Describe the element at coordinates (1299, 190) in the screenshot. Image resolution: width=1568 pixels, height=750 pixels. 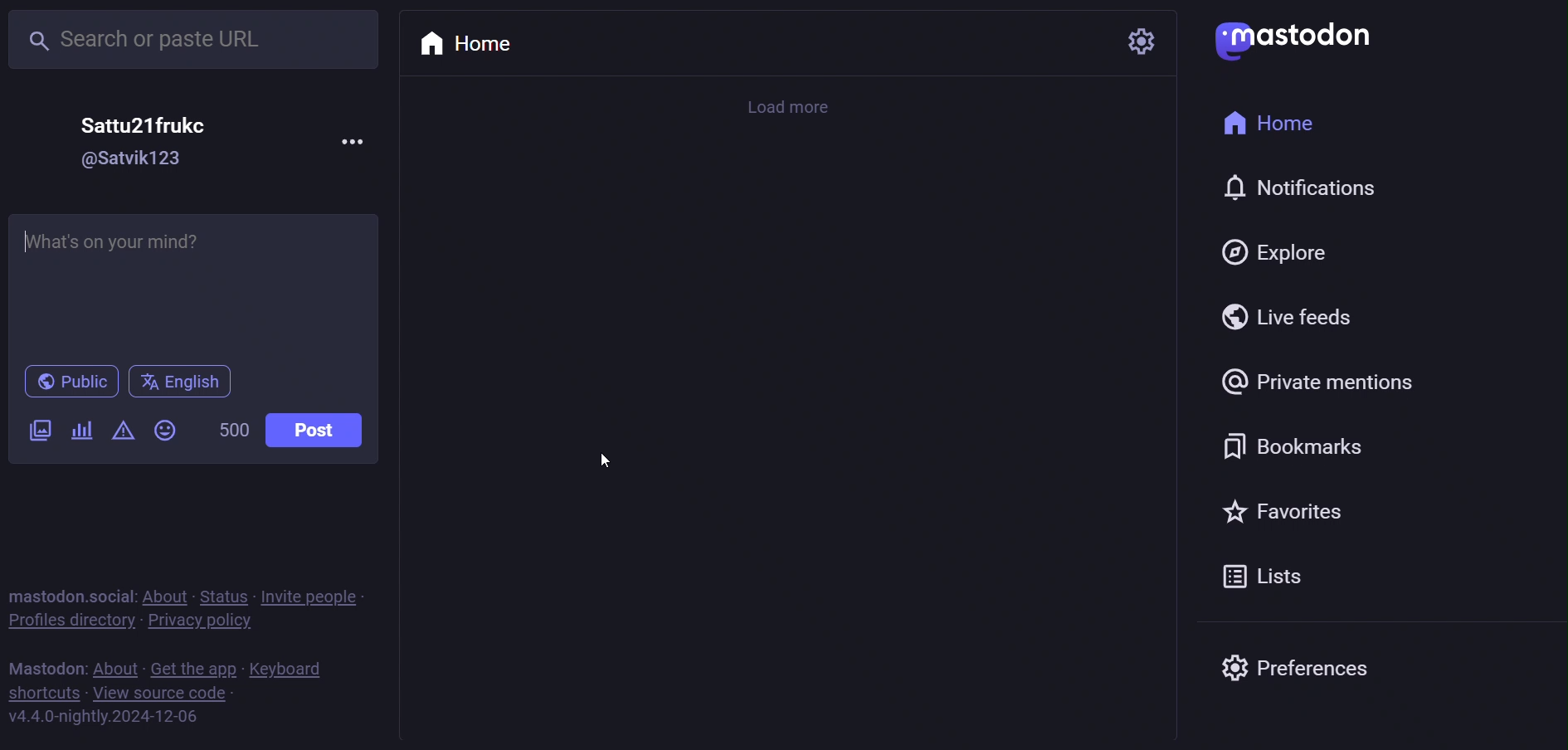
I see `notification` at that location.